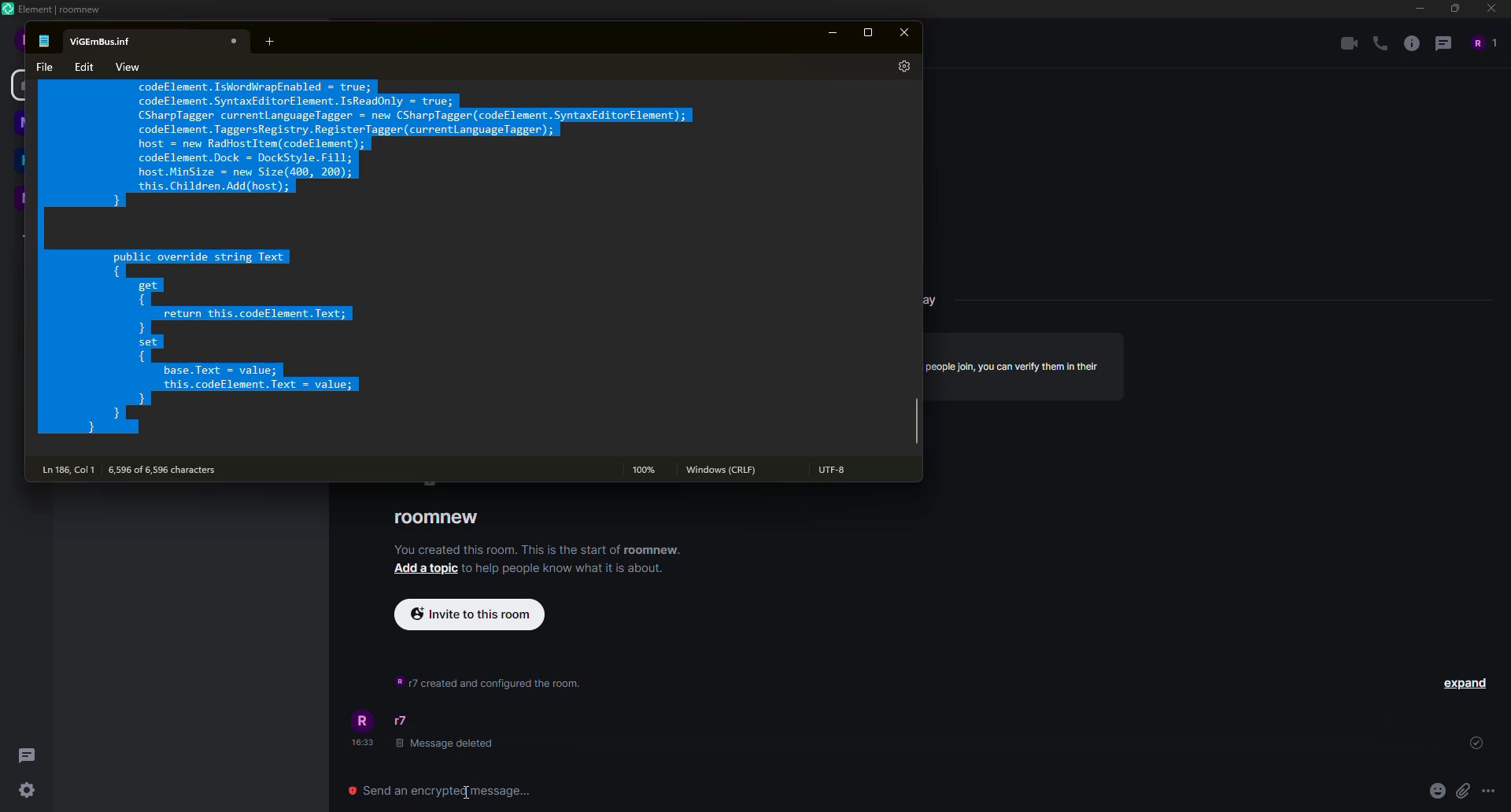 The height and width of the screenshot is (812, 1511). What do you see at coordinates (642, 469) in the screenshot?
I see `100` at bounding box center [642, 469].